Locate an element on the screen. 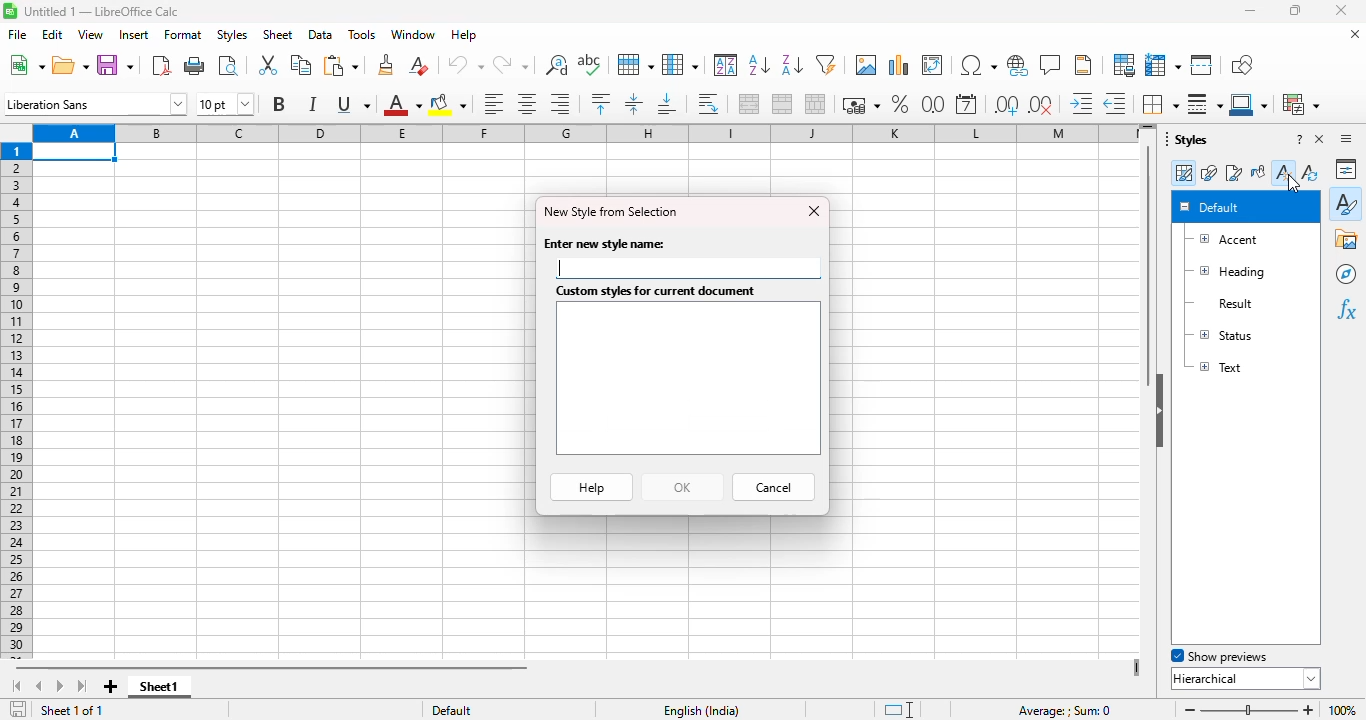  clear direct formatting is located at coordinates (418, 64).